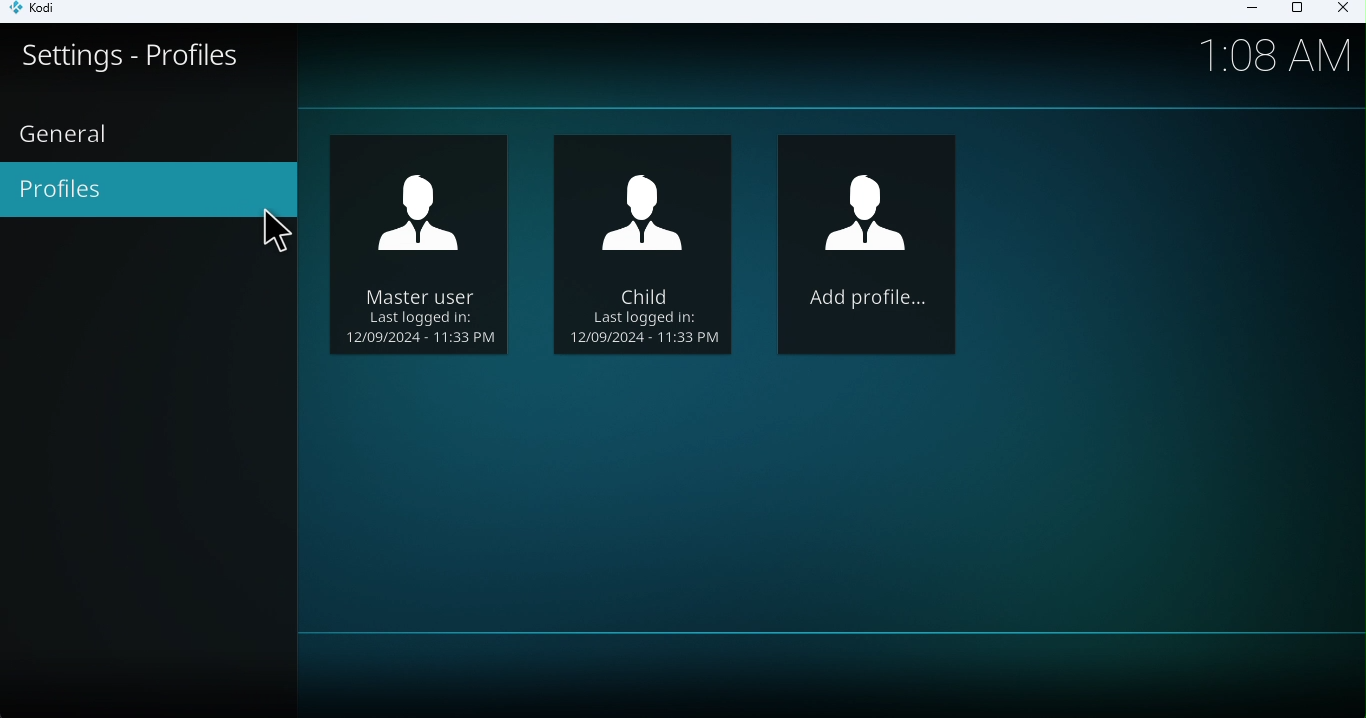 This screenshot has height=718, width=1366. Describe the element at coordinates (647, 243) in the screenshot. I see `Child` at that location.